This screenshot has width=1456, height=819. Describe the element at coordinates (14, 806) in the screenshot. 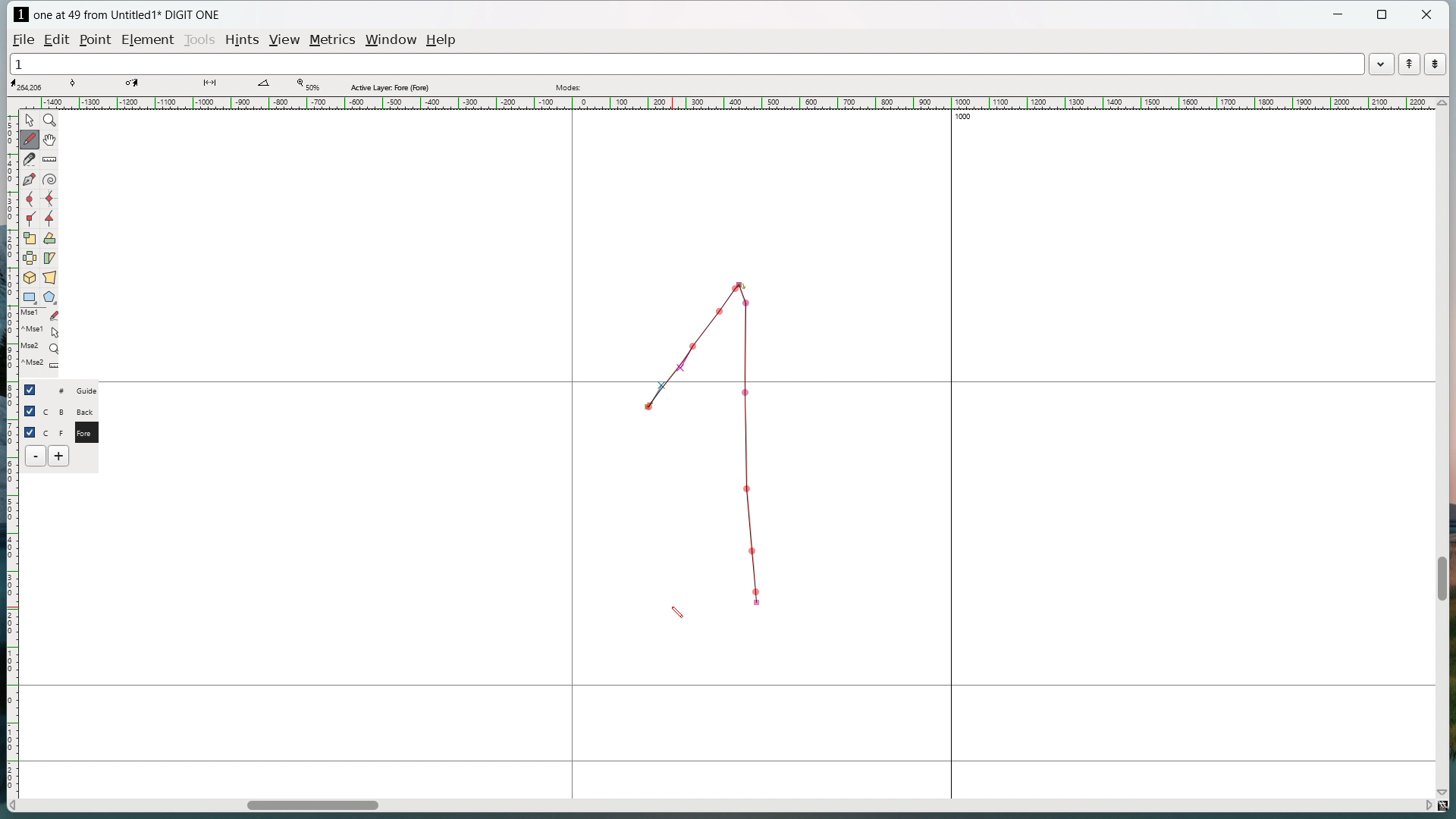

I see `scroll left` at that location.